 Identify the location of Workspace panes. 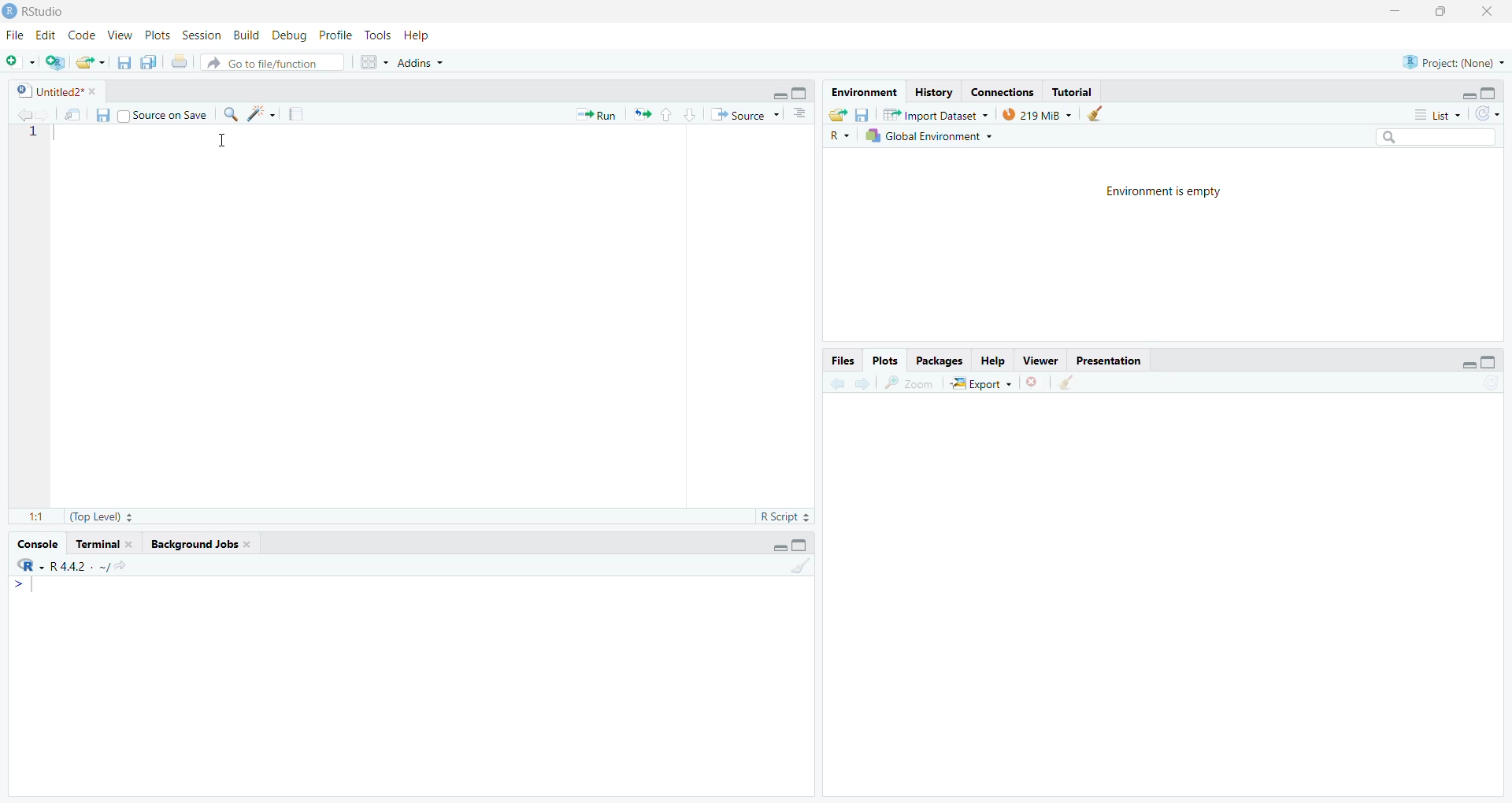
(371, 61).